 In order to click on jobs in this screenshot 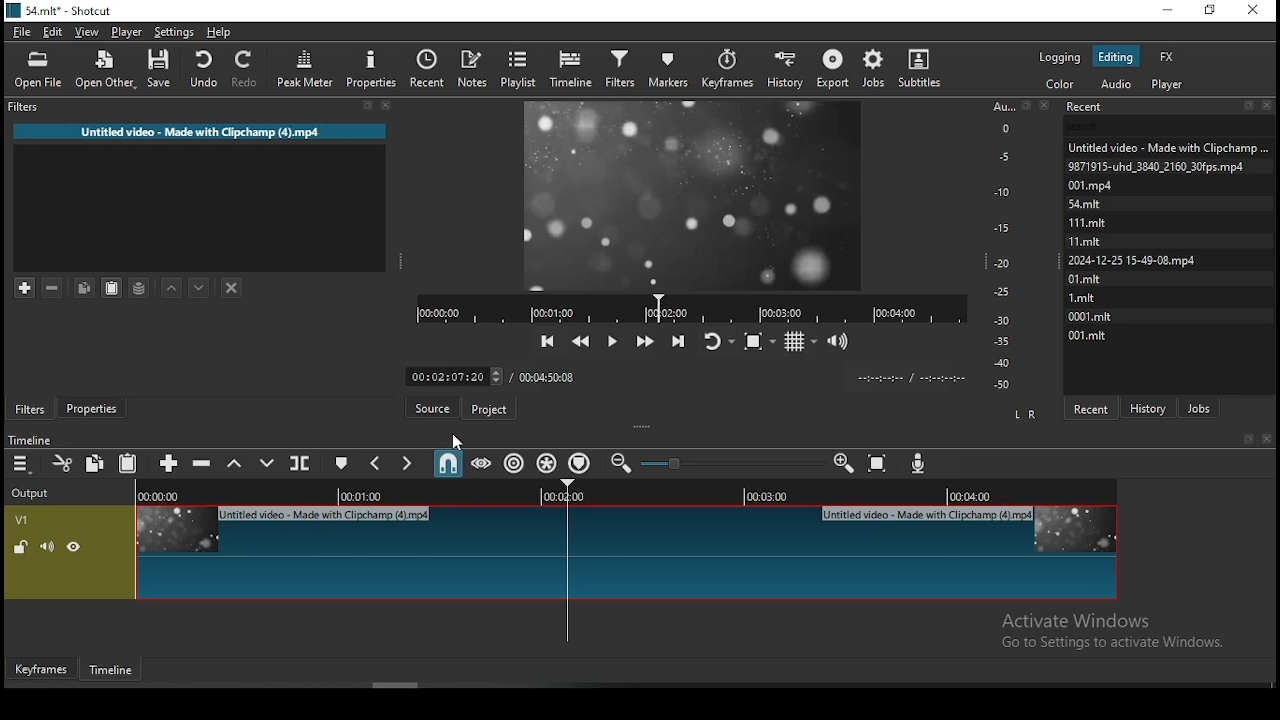, I will do `click(876, 68)`.